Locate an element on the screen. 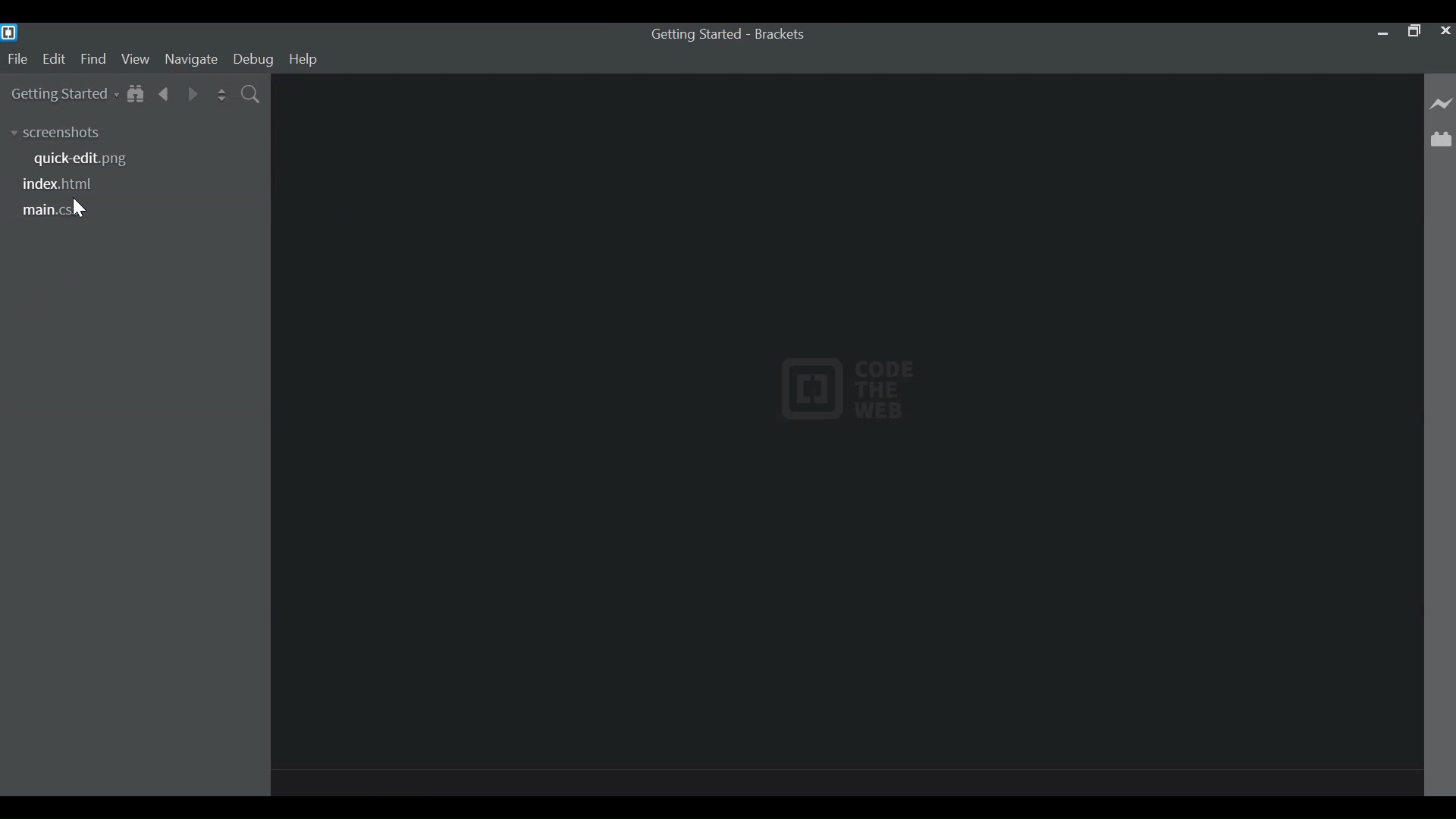  brackets is located at coordinates (786, 35).